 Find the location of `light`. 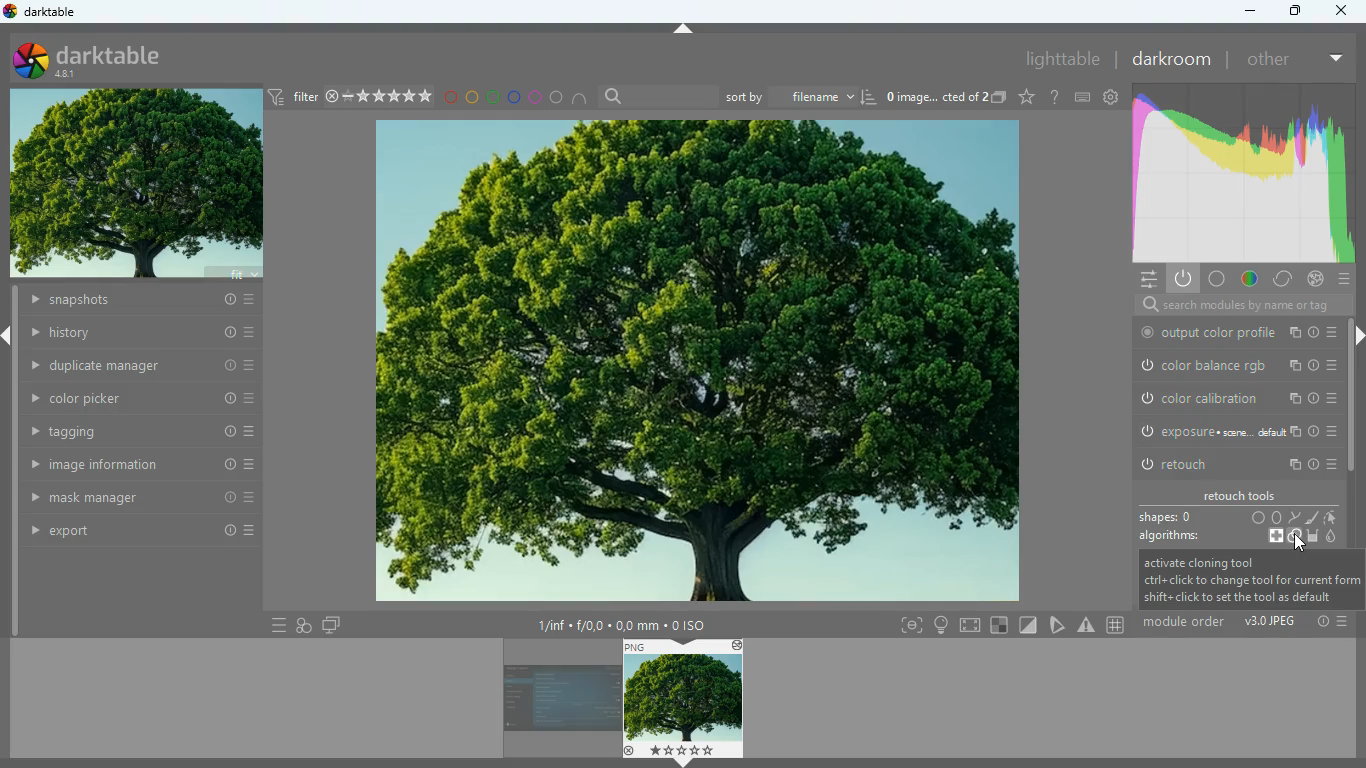

light is located at coordinates (940, 624).